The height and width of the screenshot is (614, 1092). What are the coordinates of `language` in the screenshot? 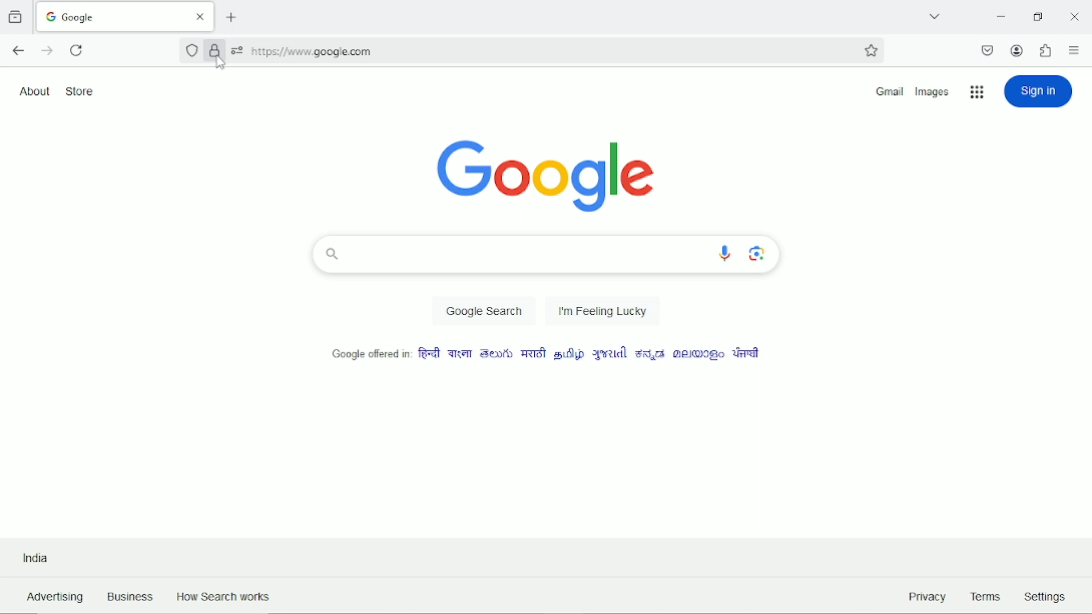 It's located at (428, 353).